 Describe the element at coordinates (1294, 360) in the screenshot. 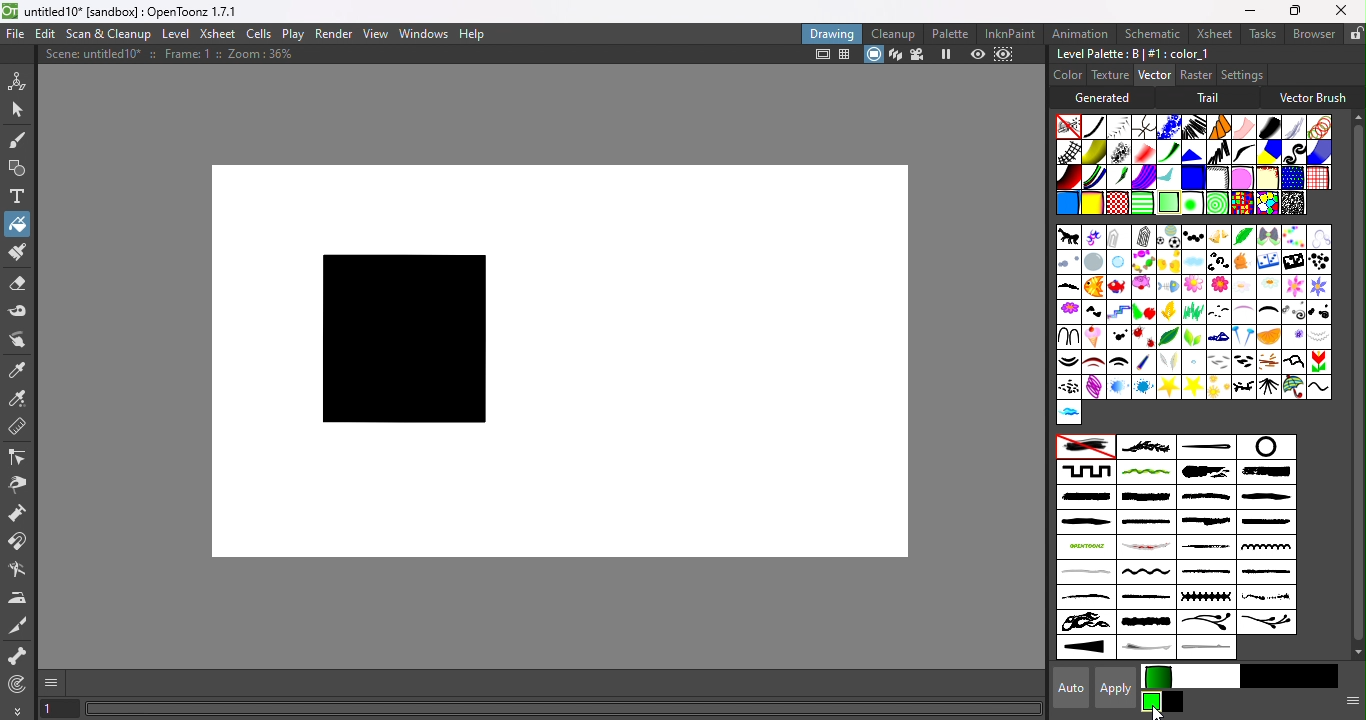

I see `Scal` at that location.